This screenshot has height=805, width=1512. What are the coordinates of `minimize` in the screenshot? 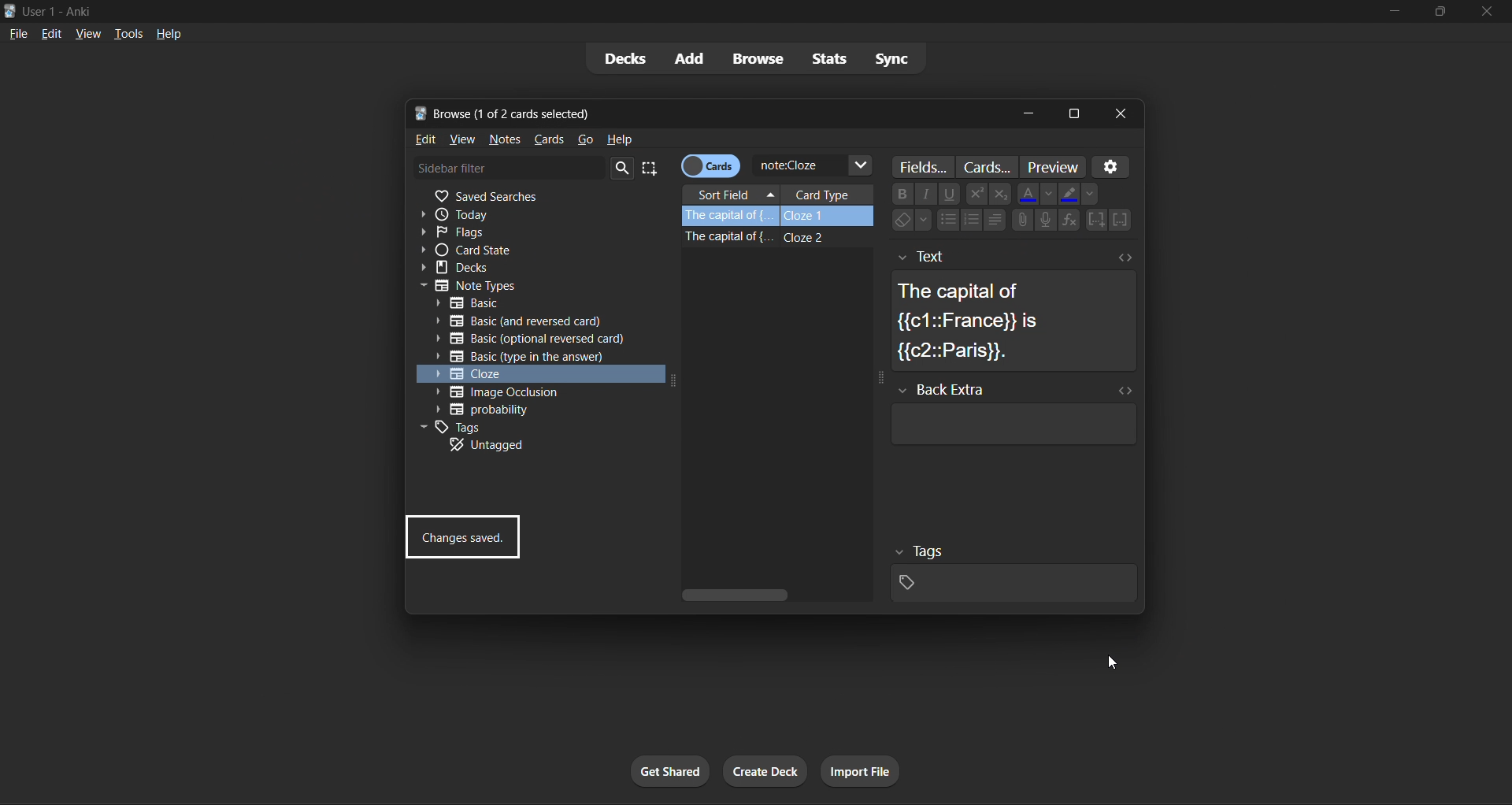 It's located at (1398, 12).